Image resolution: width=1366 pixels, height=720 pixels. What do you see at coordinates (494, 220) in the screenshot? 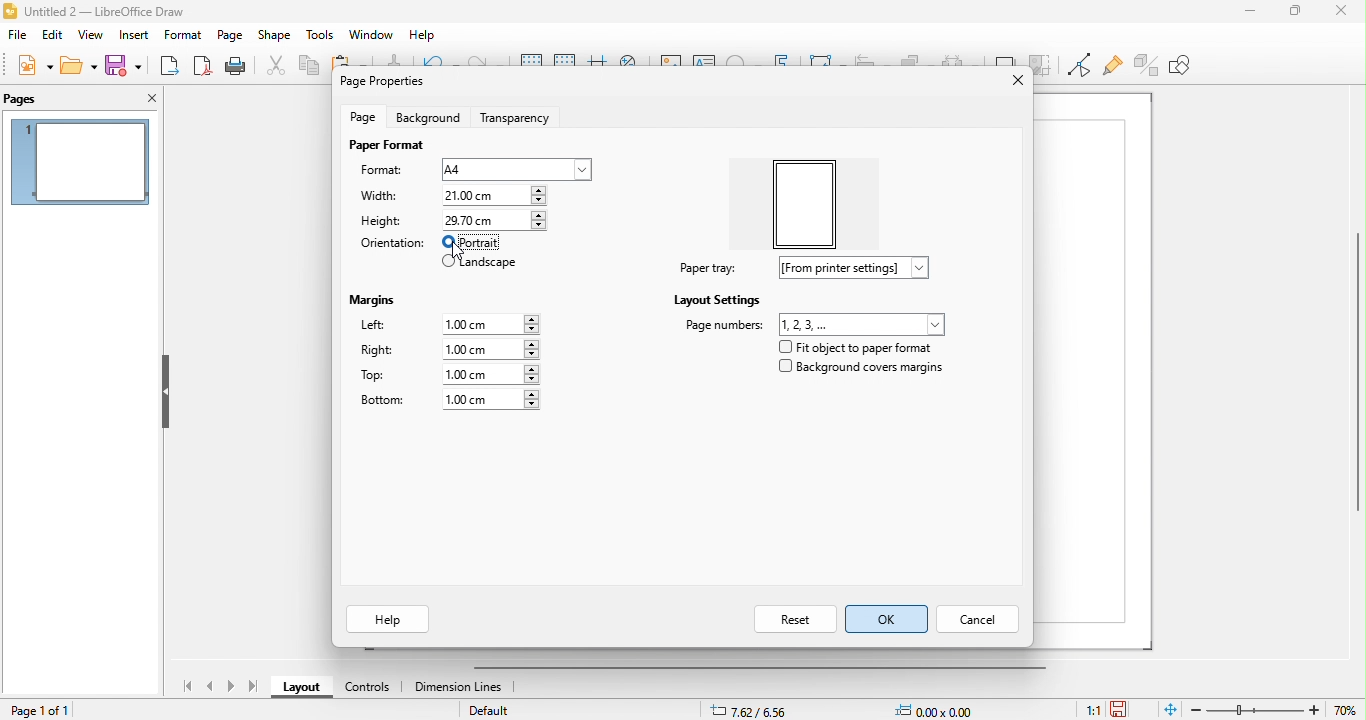
I see `29.70 cm` at bounding box center [494, 220].